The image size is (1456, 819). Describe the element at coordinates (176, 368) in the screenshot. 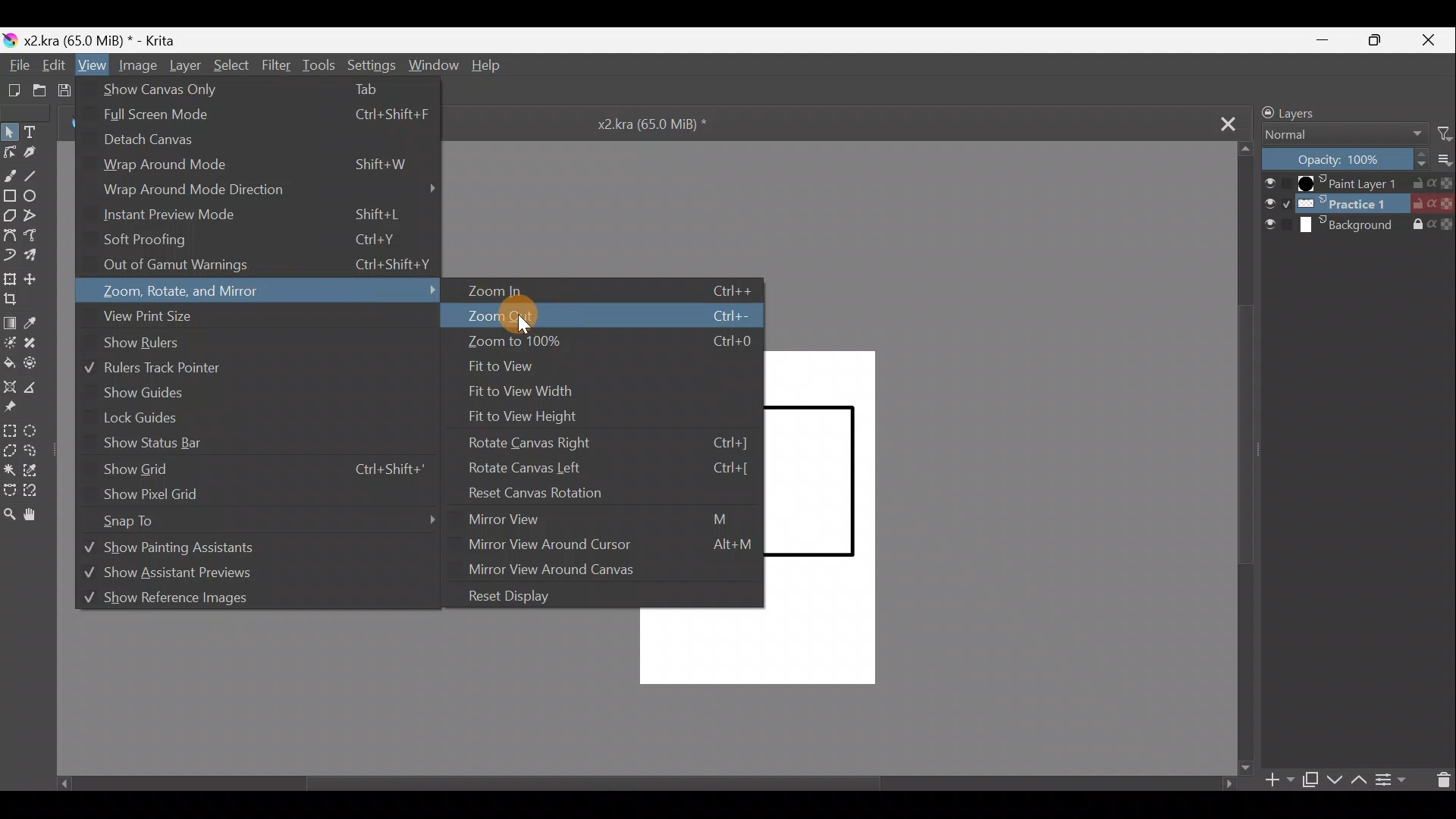

I see `Rulers track pointer` at that location.